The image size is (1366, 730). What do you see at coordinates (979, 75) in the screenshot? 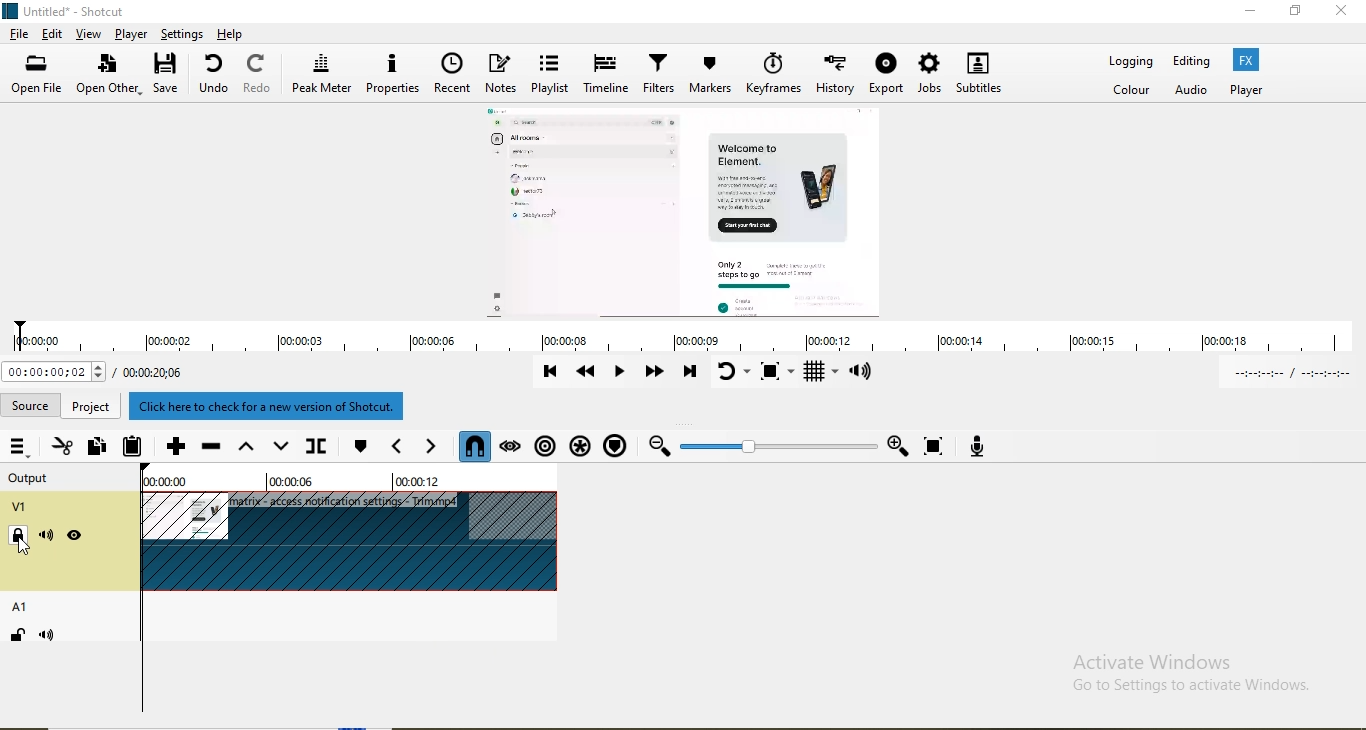
I see `` at bounding box center [979, 75].